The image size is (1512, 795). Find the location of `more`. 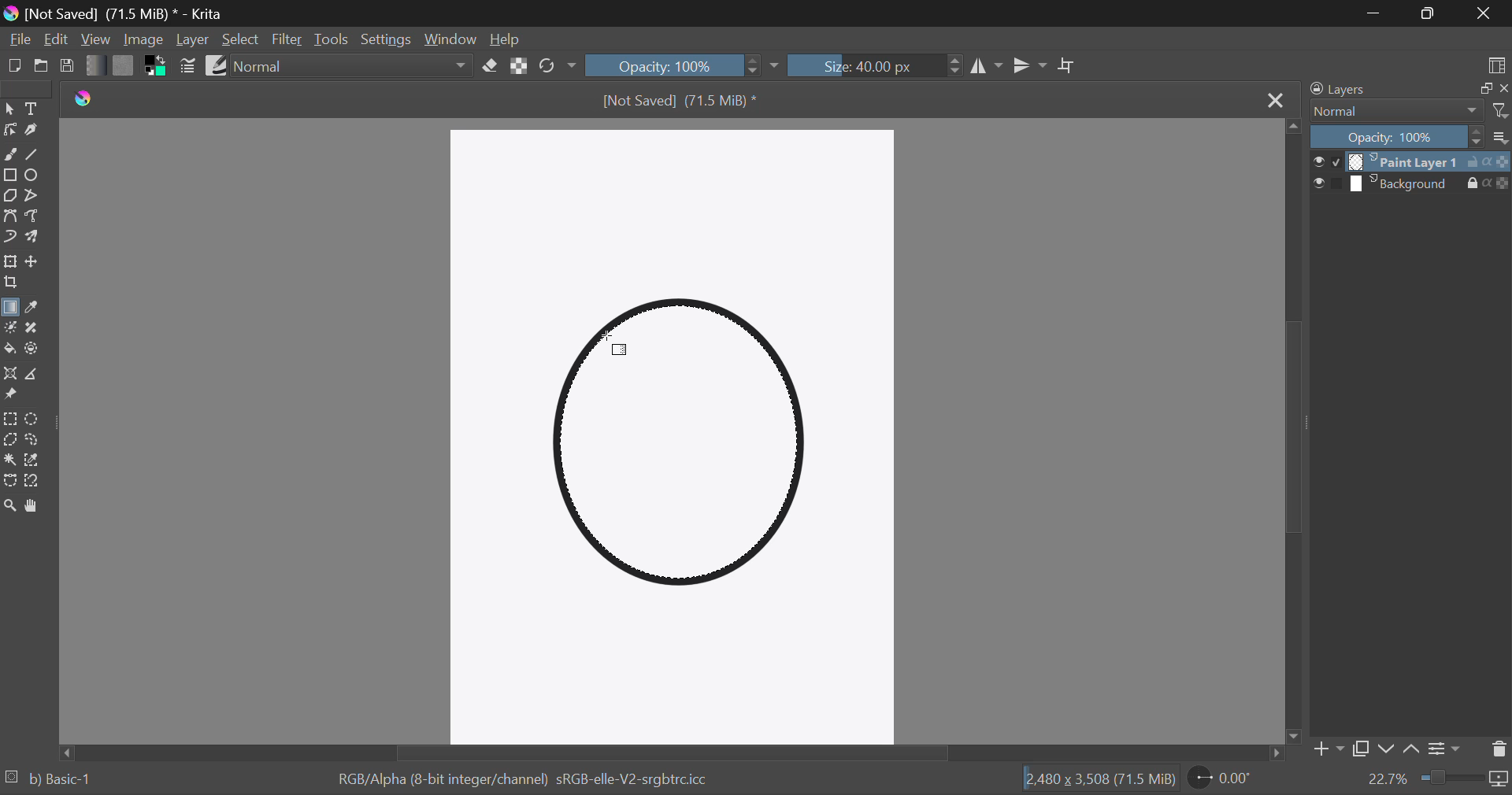

more is located at coordinates (1500, 138).